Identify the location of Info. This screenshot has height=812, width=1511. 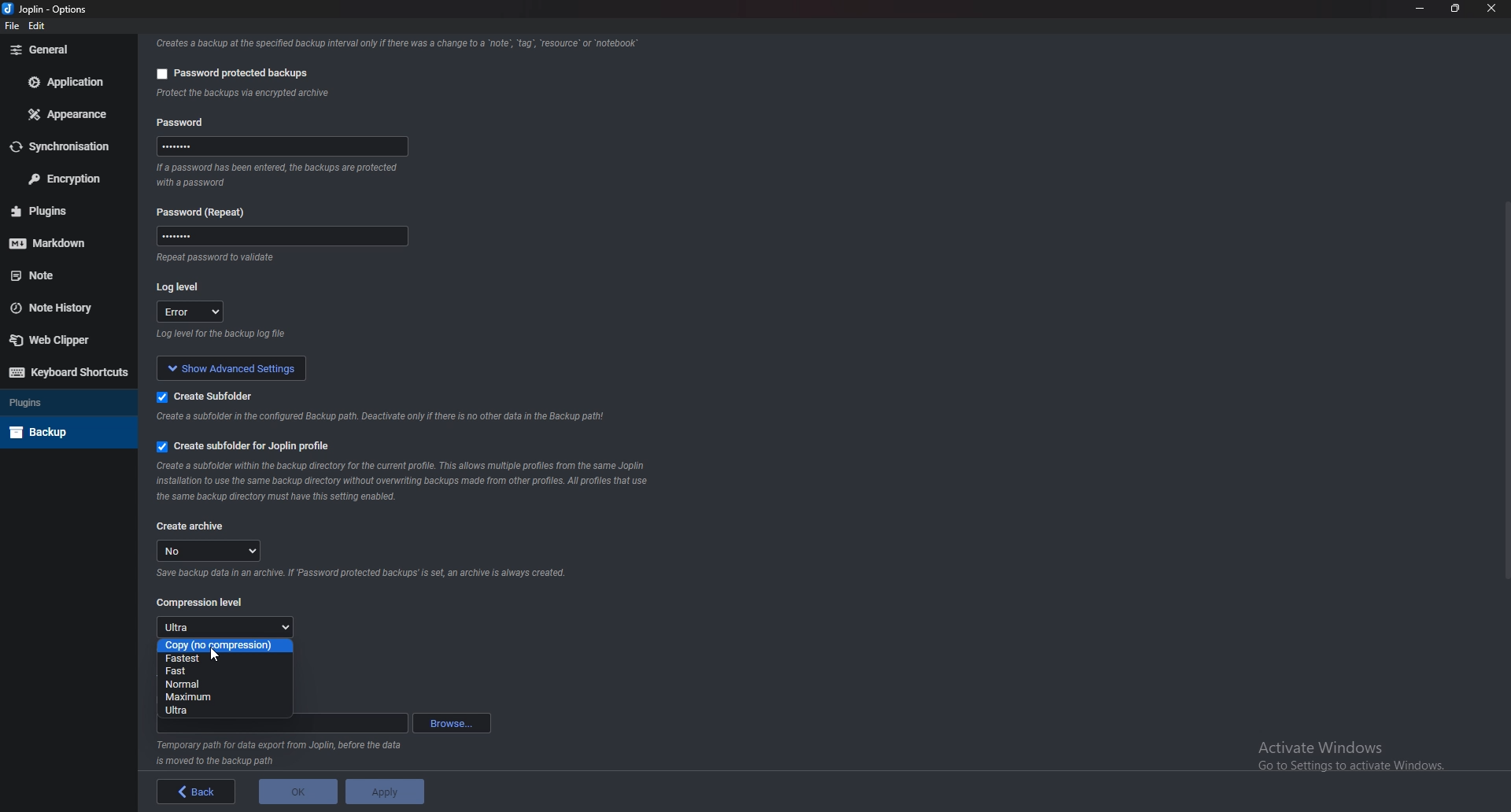
(281, 754).